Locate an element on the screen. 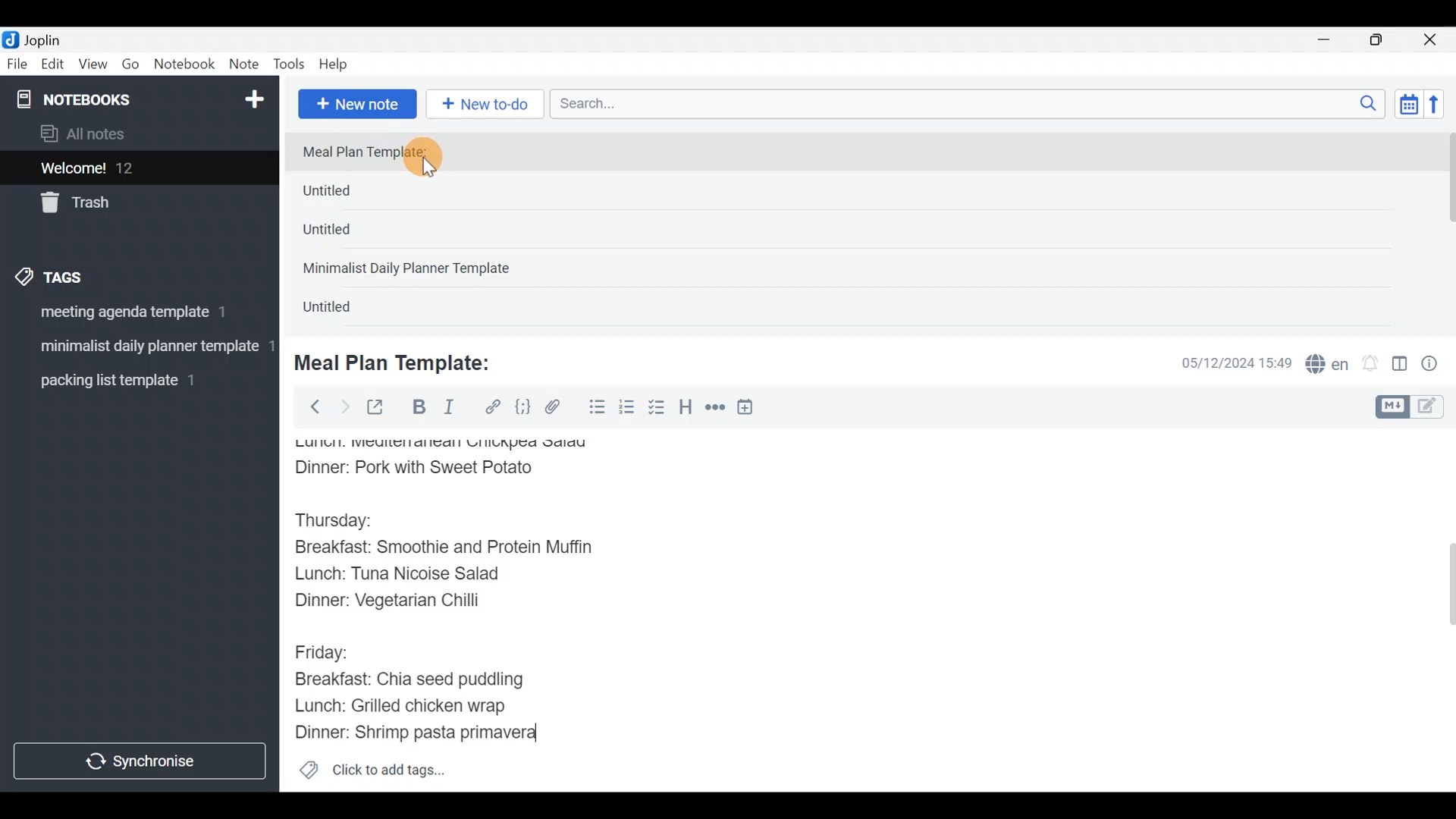 This screenshot has width=1456, height=819. Toggle editor layout is located at coordinates (1401, 366).